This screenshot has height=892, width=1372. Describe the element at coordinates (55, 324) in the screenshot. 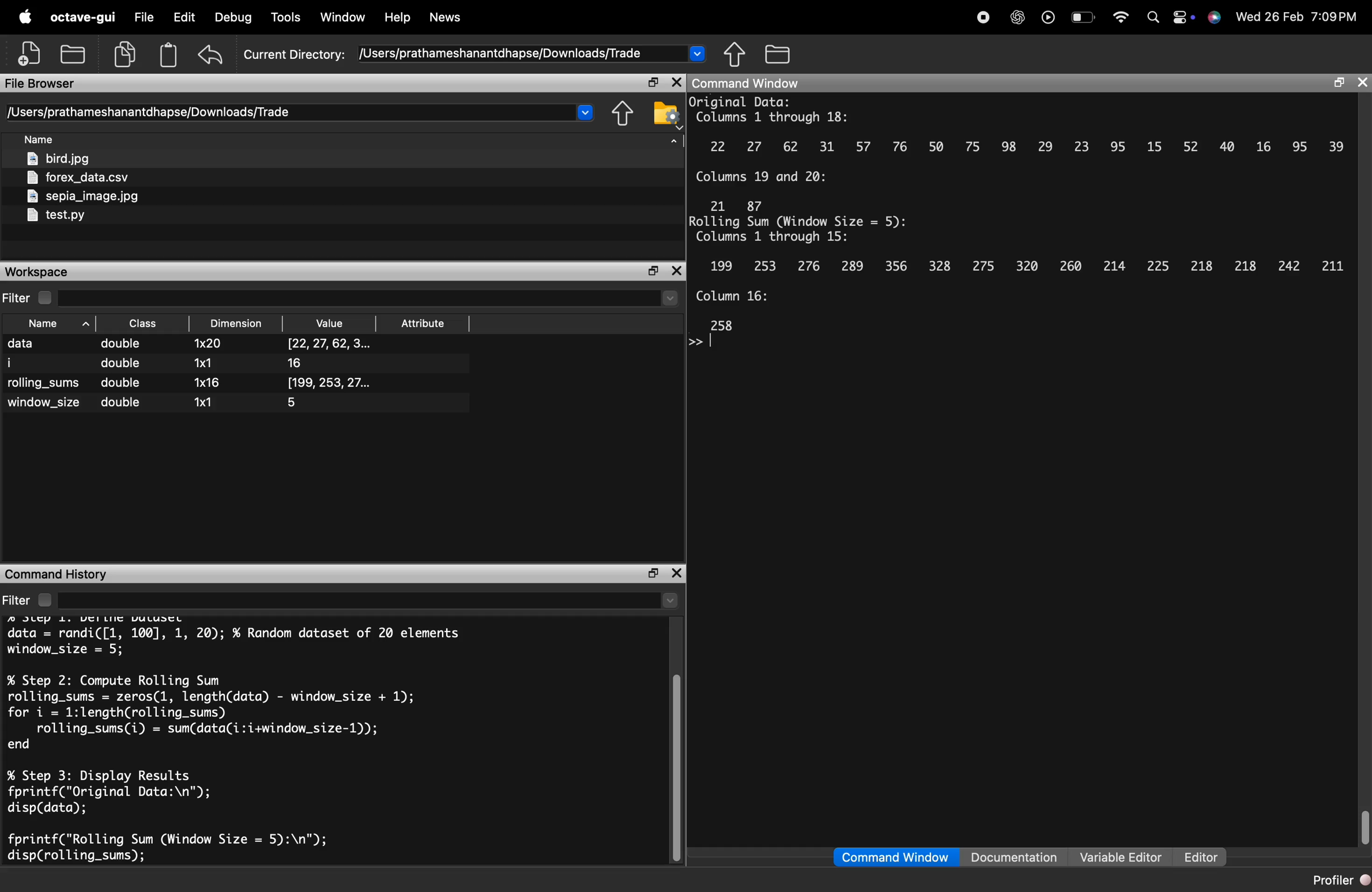

I see `sort by name` at that location.